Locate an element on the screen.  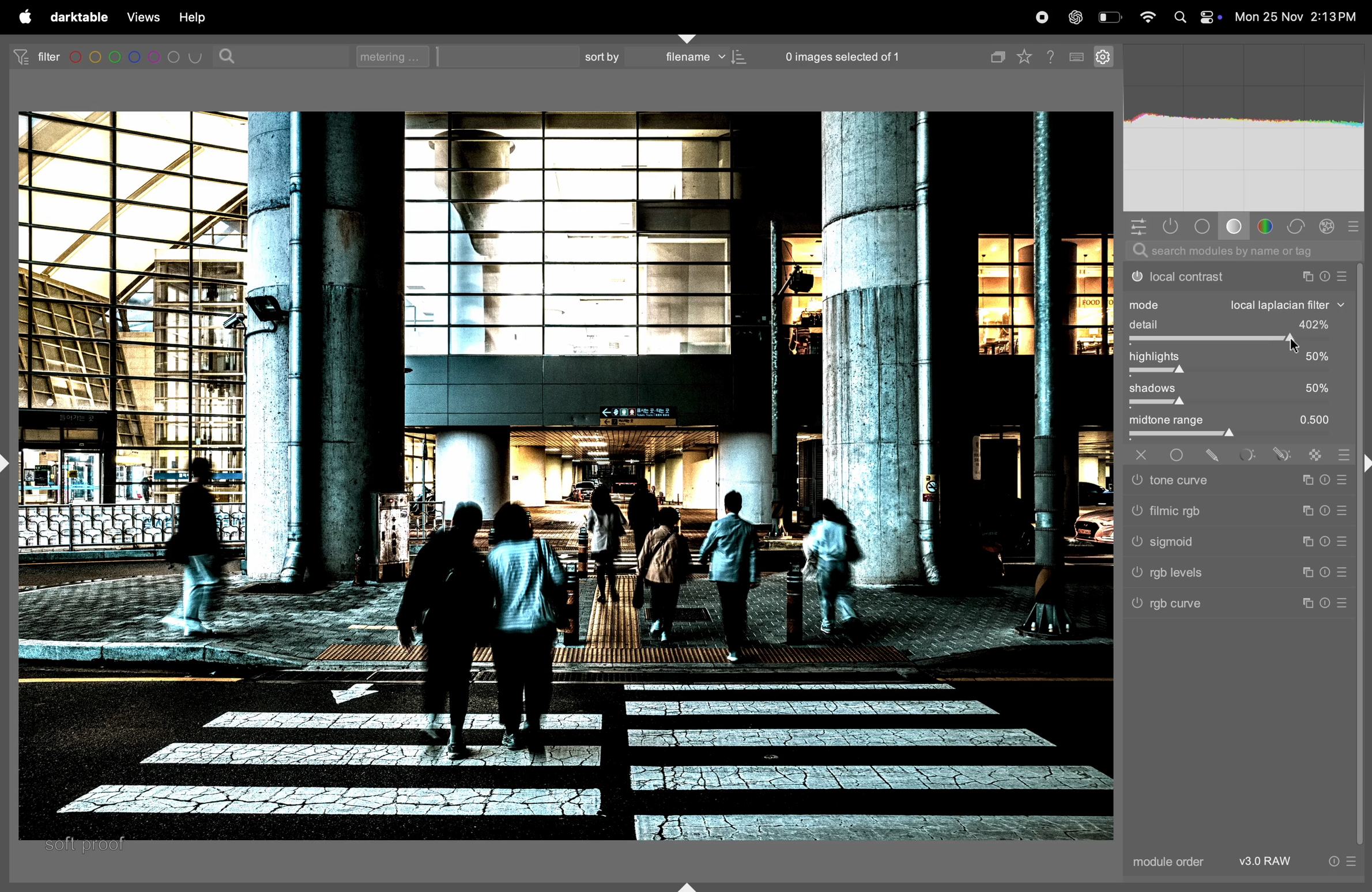
preset is located at coordinates (1339, 543).